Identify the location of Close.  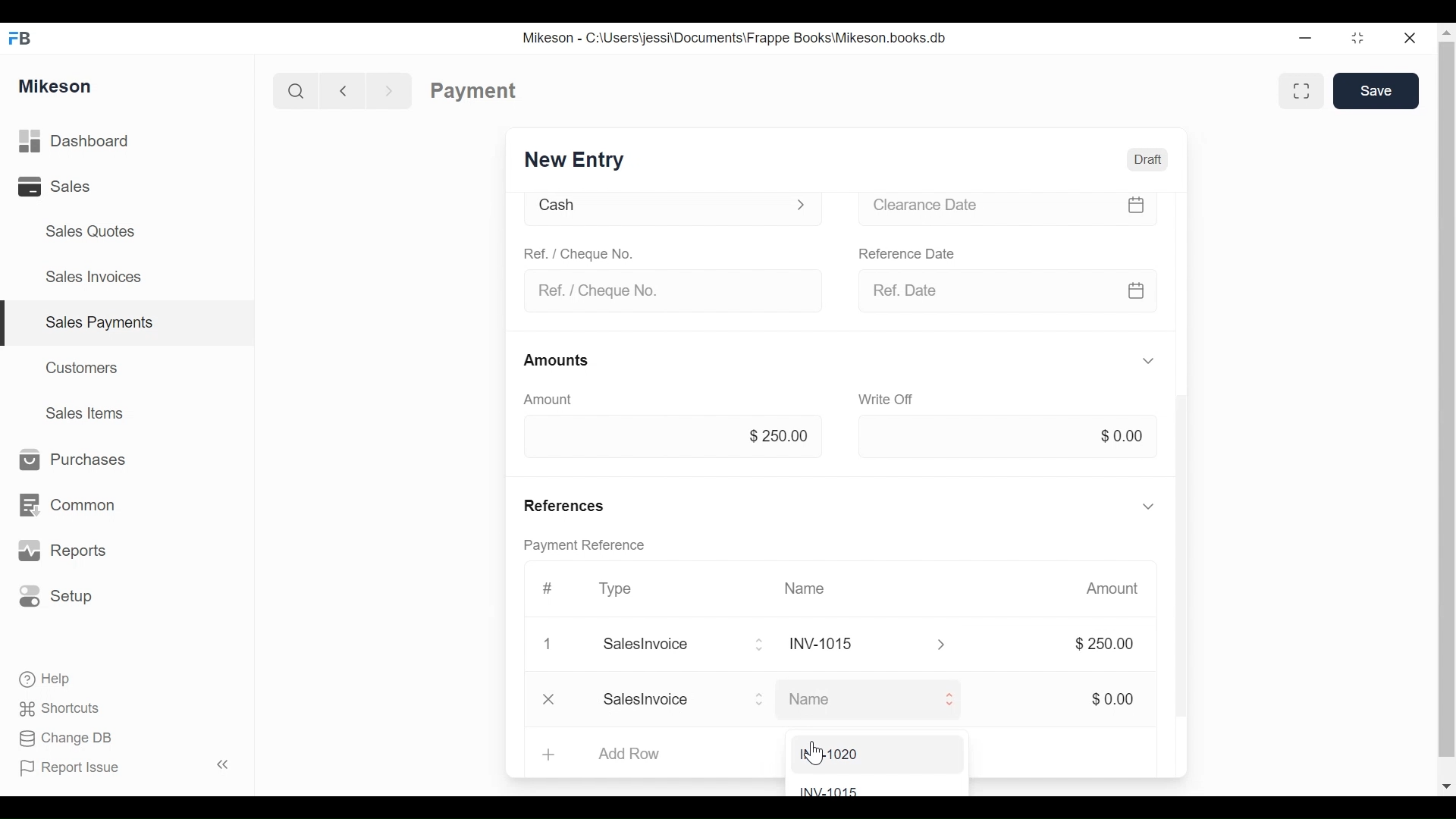
(1408, 37).